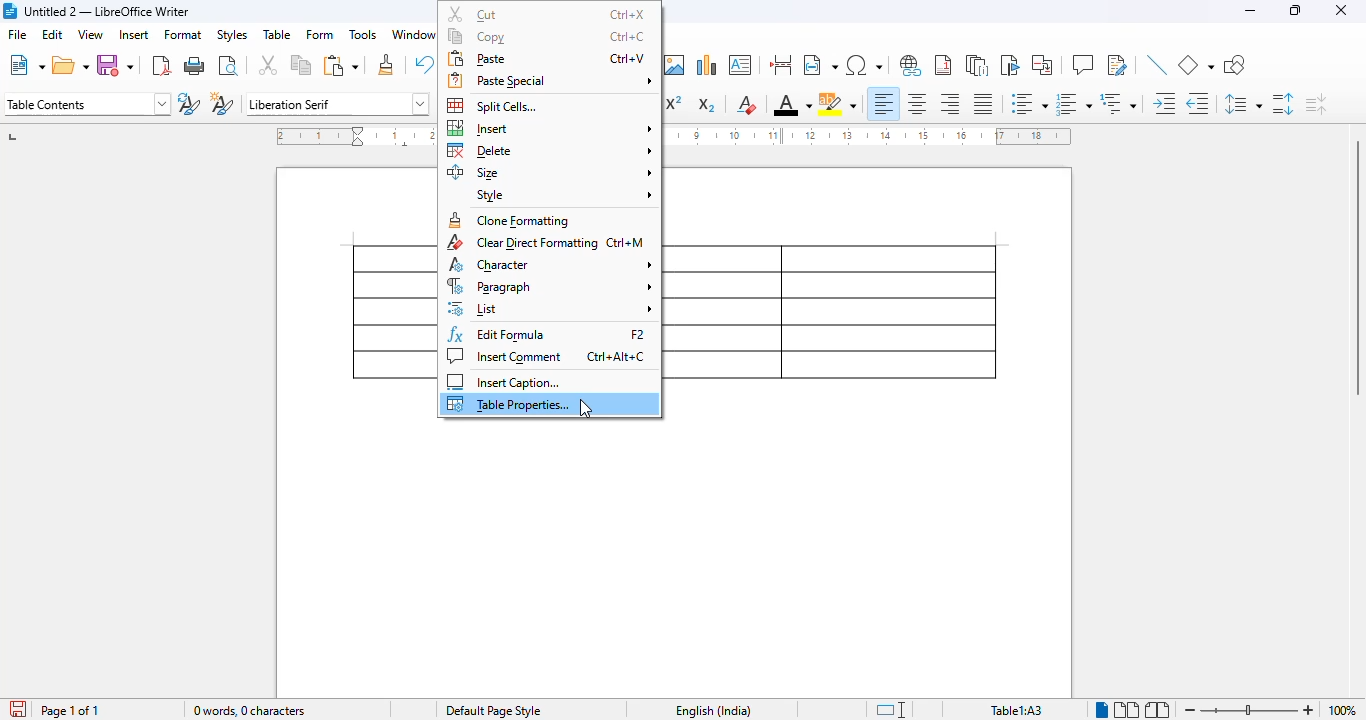 The width and height of the screenshot is (1366, 720). Describe the element at coordinates (495, 105) in the screenshot. I see `split cells` at that location.